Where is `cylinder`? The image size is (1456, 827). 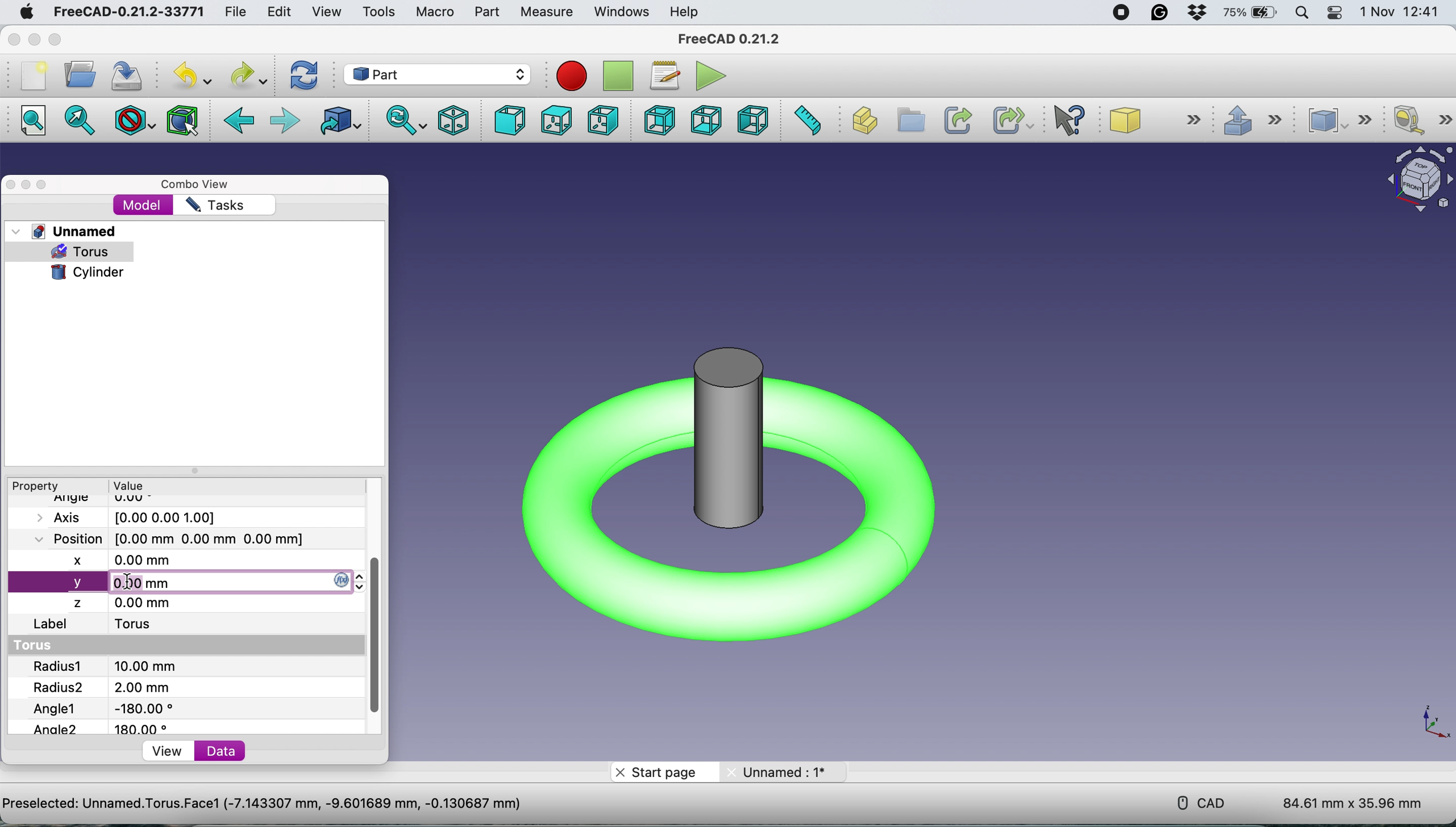
cylinder is located at coordinates (88, 271).